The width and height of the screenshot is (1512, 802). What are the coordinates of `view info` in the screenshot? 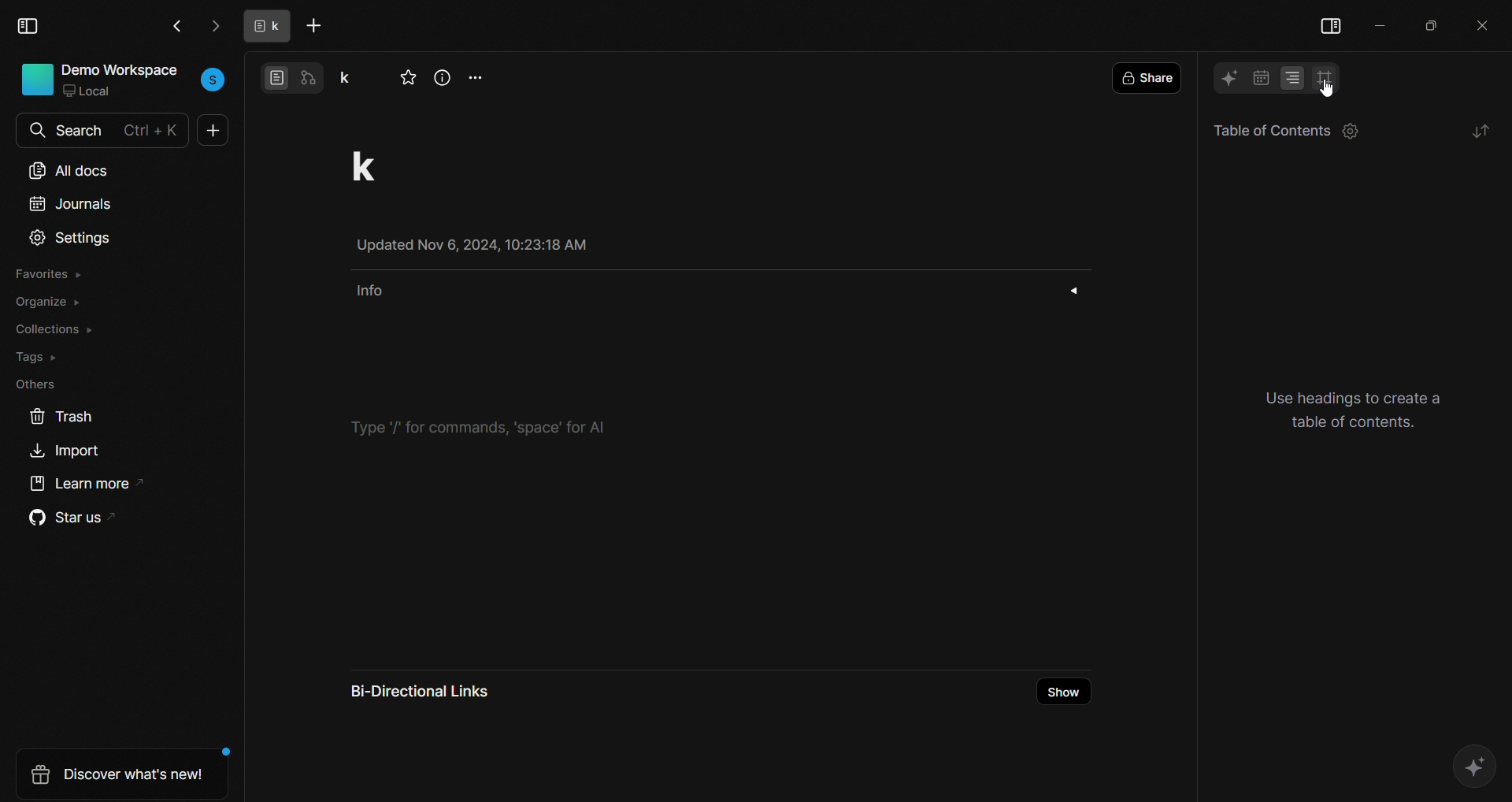 It's located at (443, 78).